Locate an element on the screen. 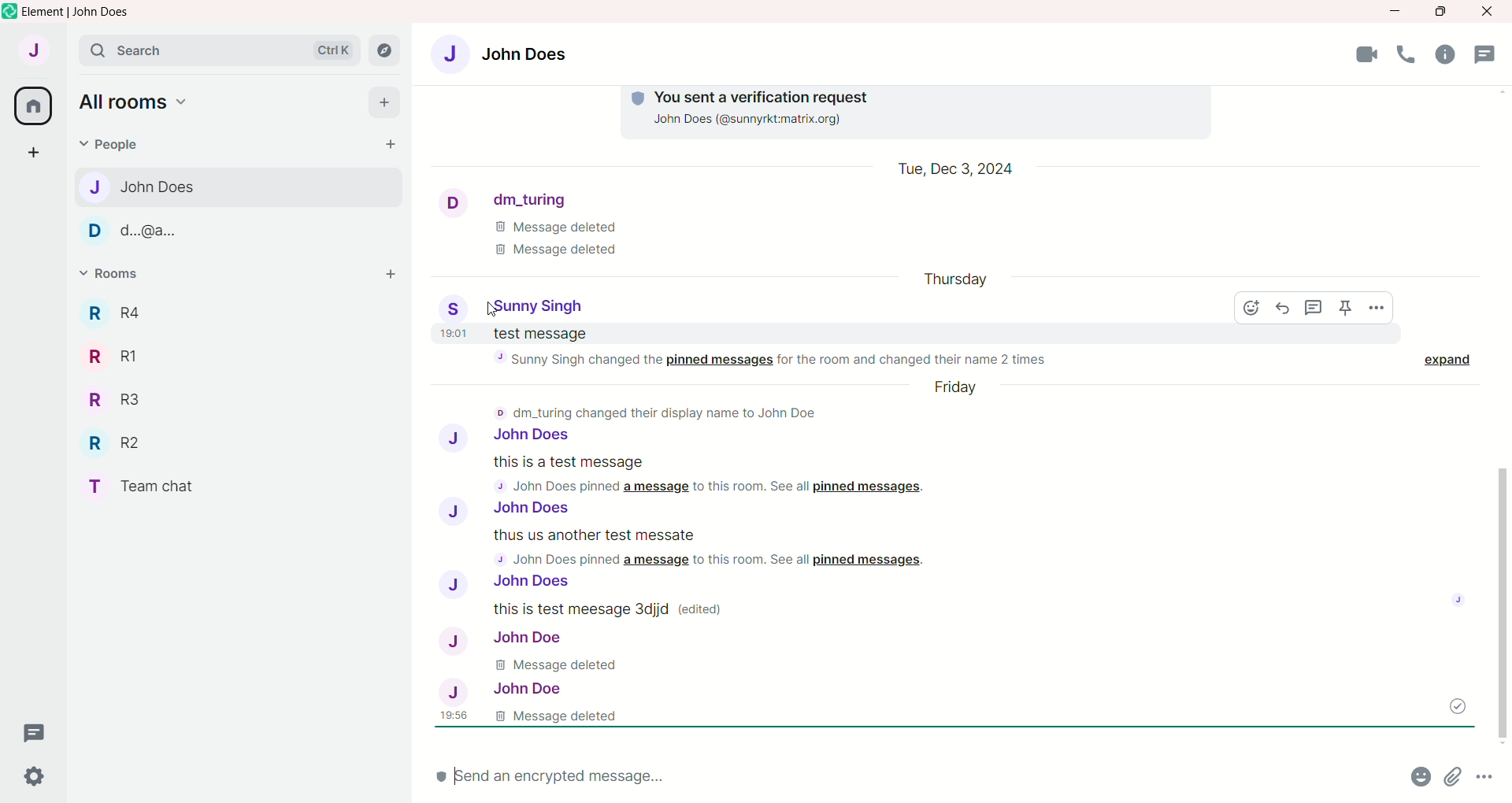  maximize is located at coordinates (1439, 12).